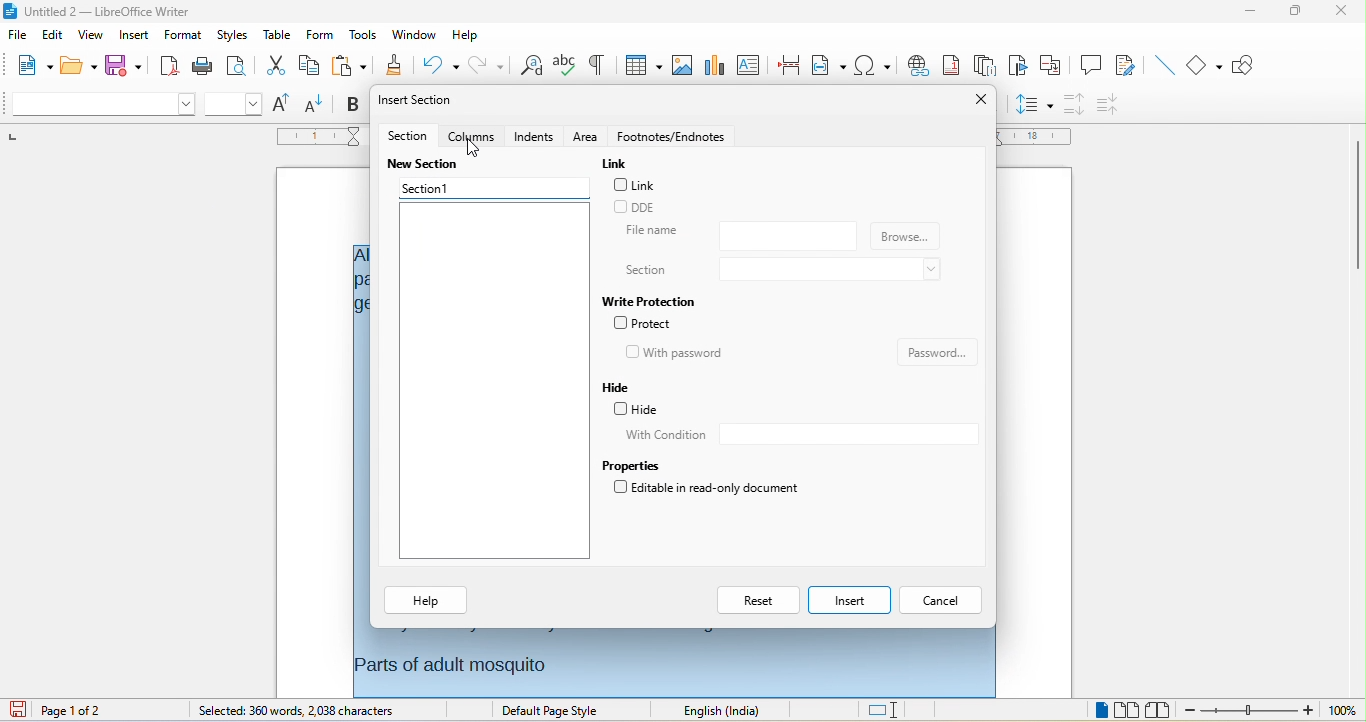  I want to click on paste, so click(346, 65).